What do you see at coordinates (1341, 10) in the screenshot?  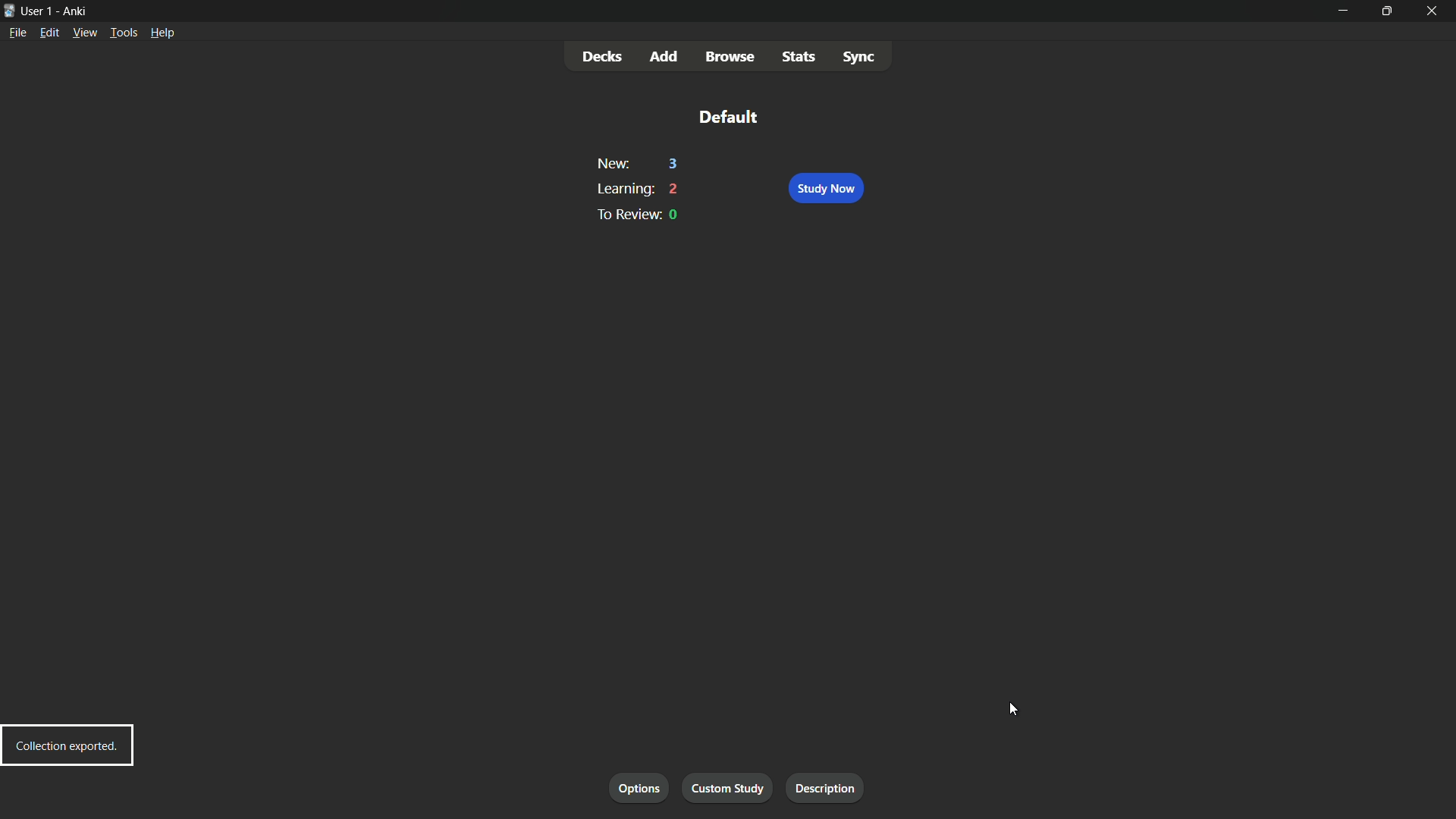 I see `minimize` at bounding box center [1341, 10].